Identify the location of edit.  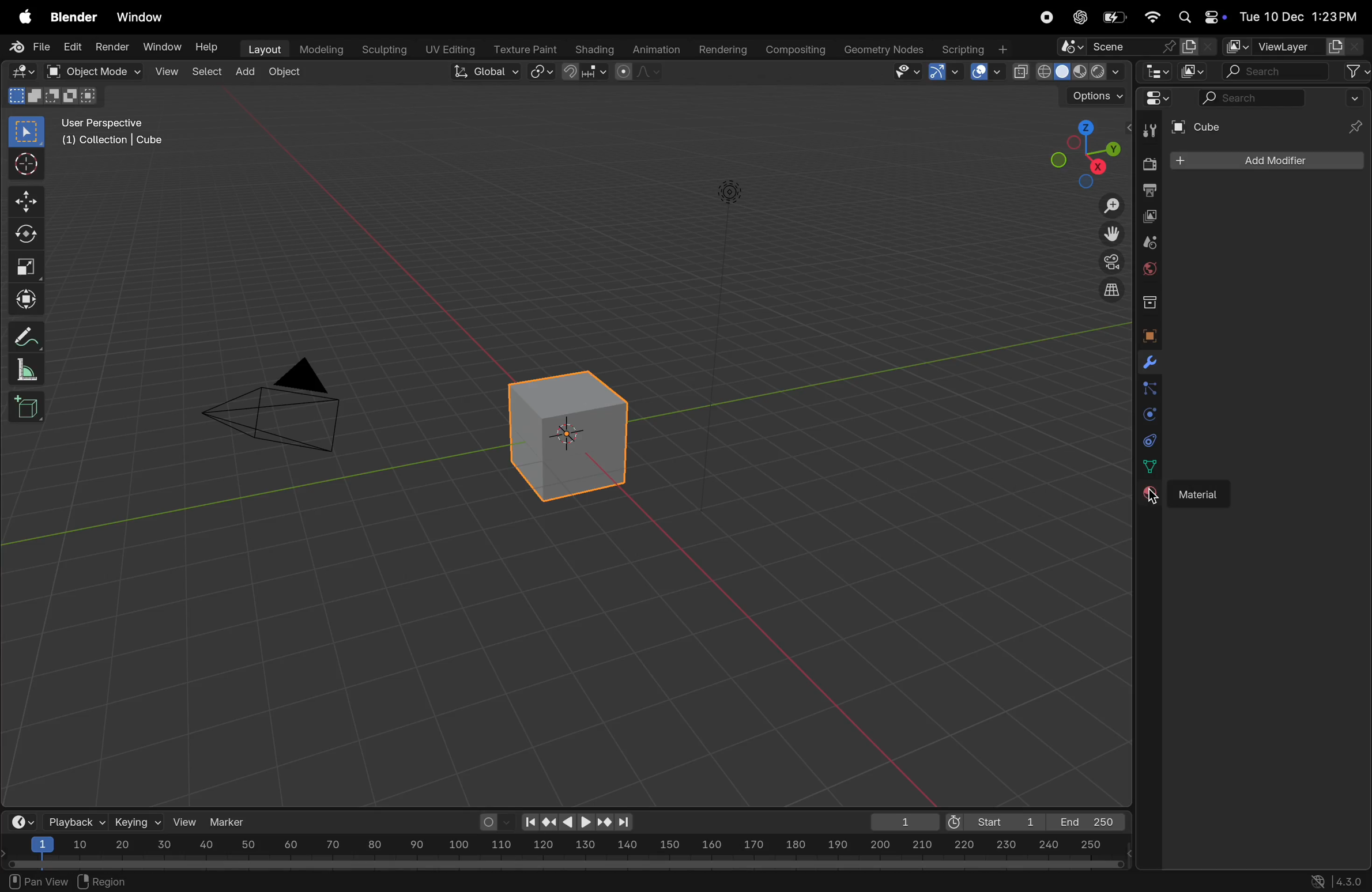
(69, 48).